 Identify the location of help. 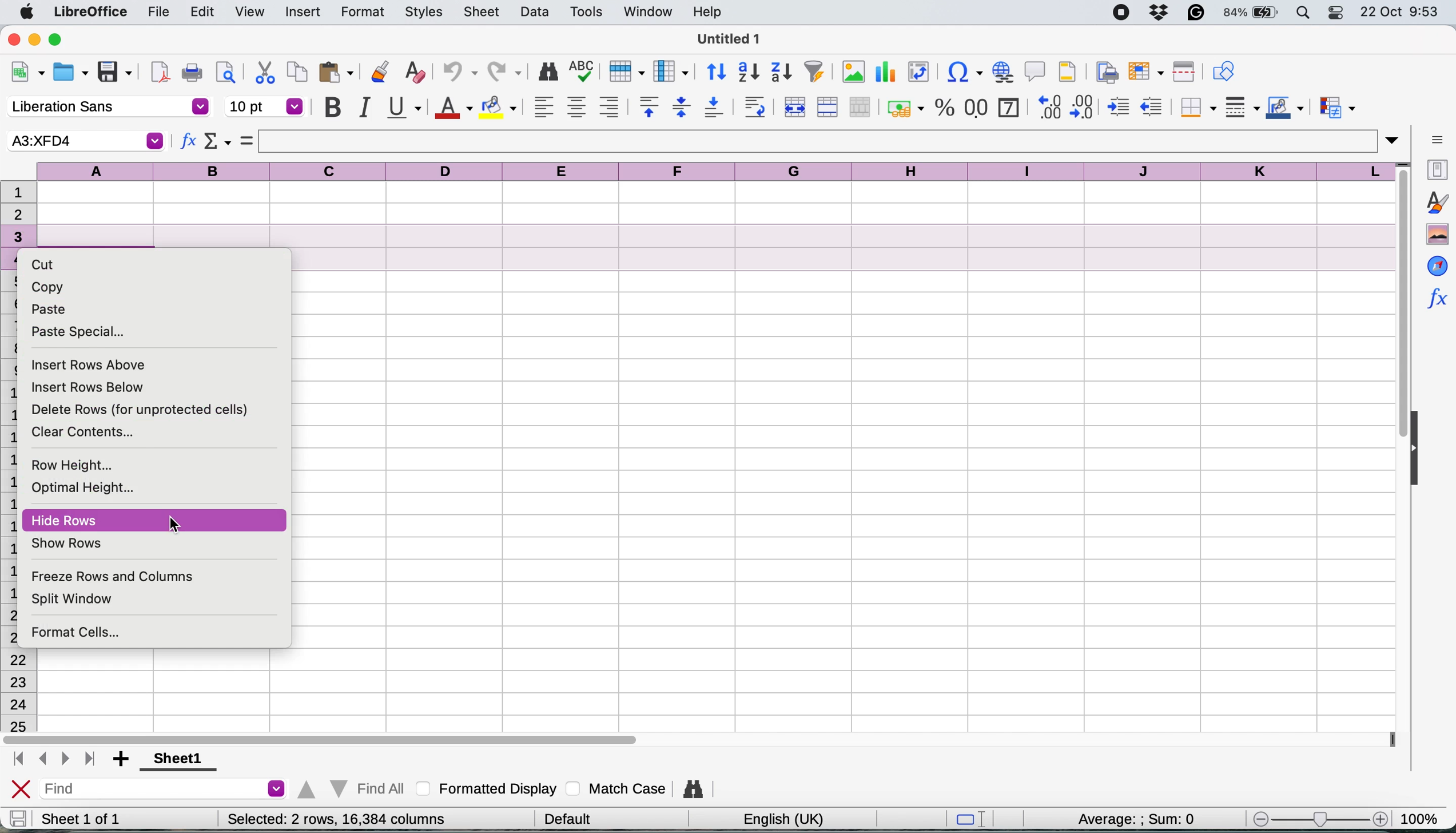
(710, 11).